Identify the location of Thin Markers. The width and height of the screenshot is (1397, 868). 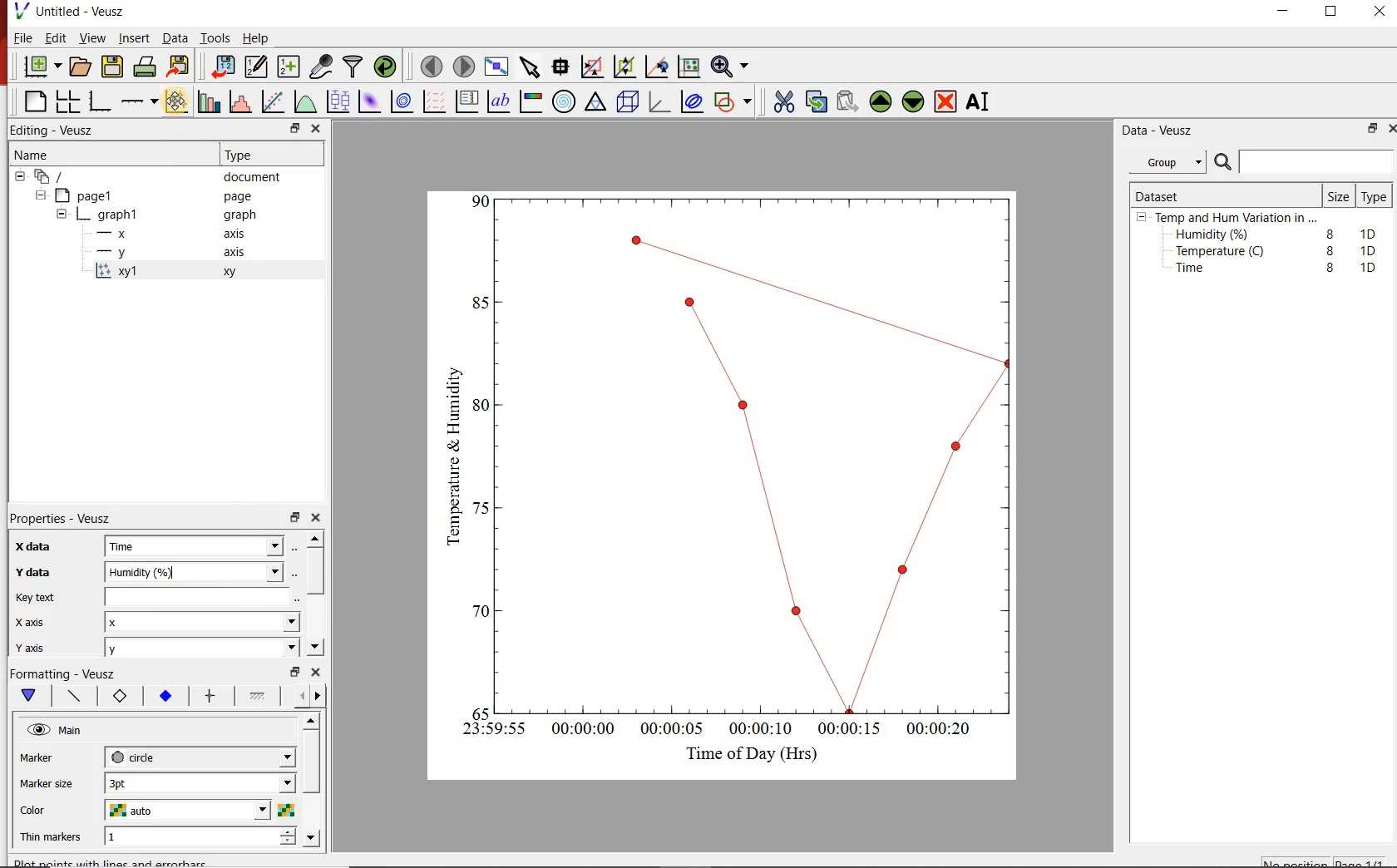
(53, 838).